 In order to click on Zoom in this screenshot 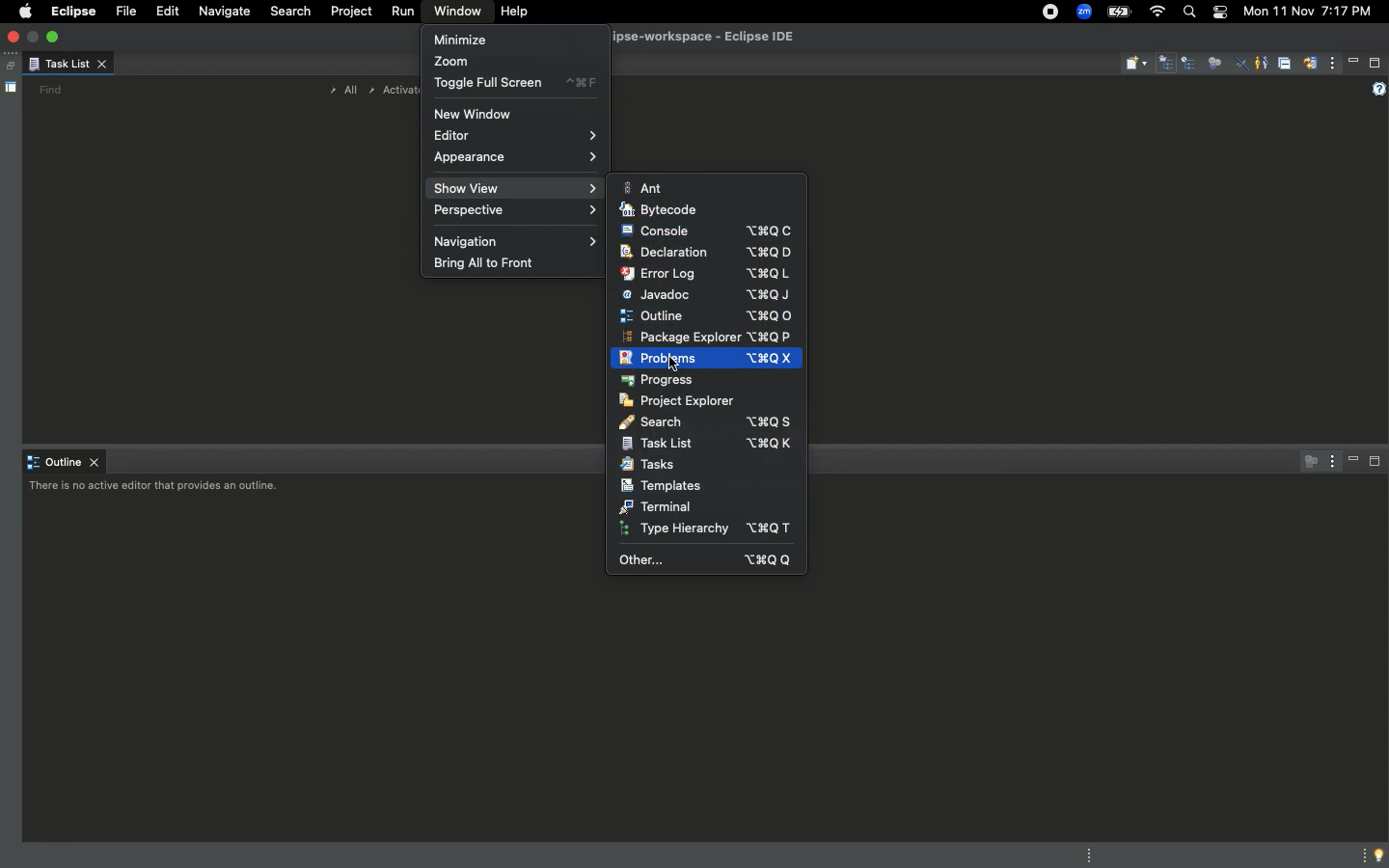, I will do `click(460, 60)`.